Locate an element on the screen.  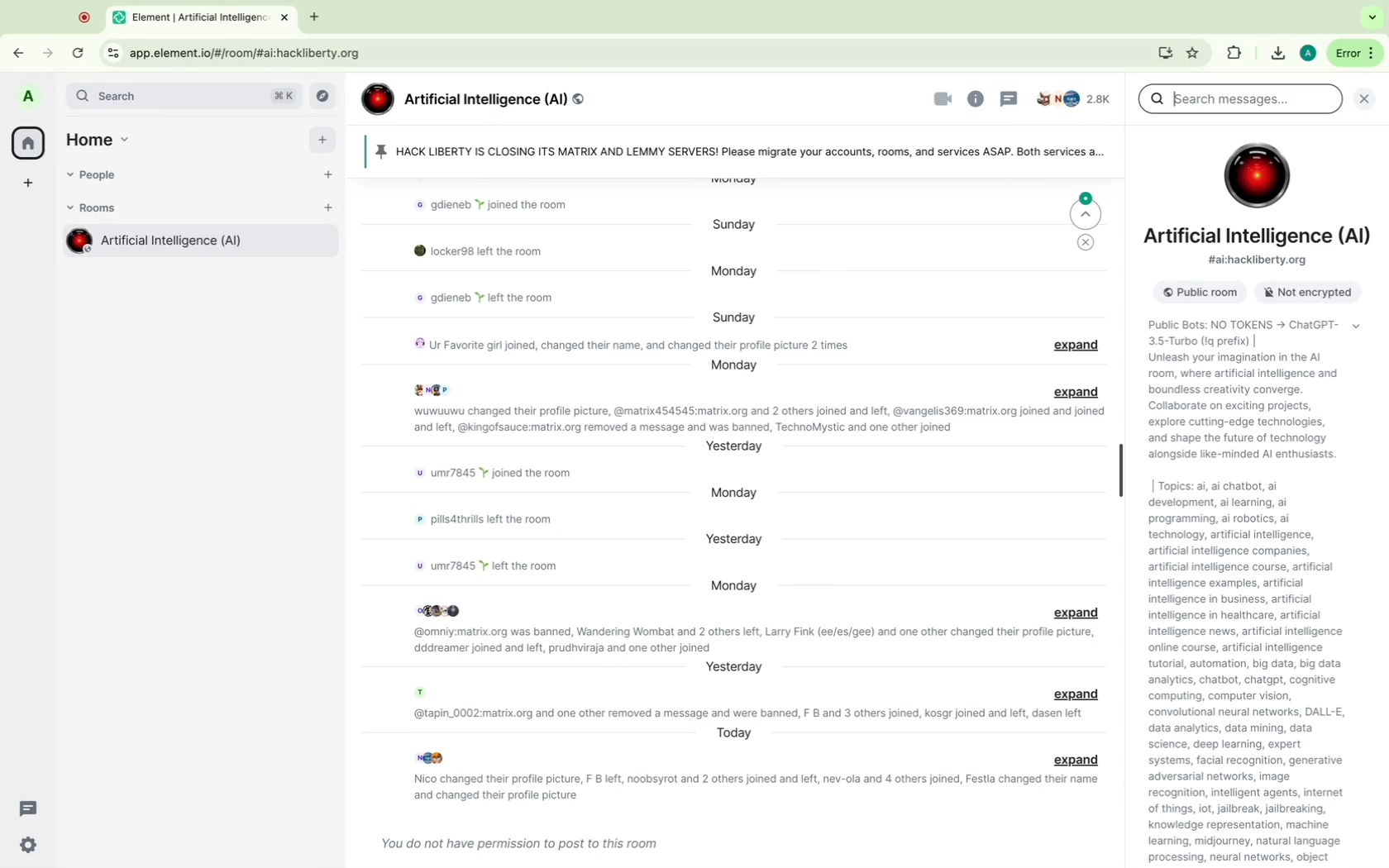
message is located at coordinates (516, 840).